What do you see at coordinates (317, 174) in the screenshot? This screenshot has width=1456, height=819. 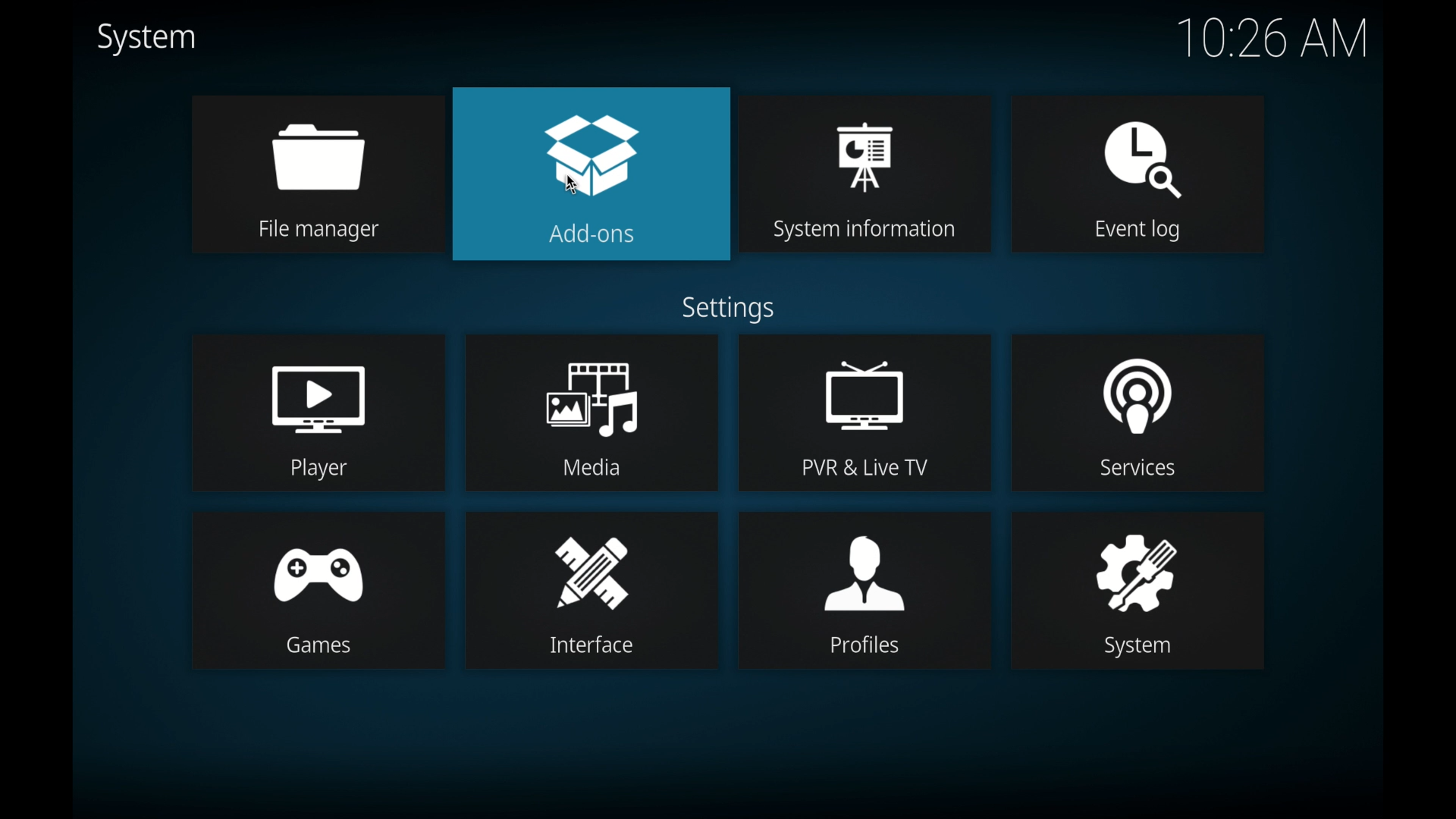 I see `file manager` at bounding box center [317, 174].